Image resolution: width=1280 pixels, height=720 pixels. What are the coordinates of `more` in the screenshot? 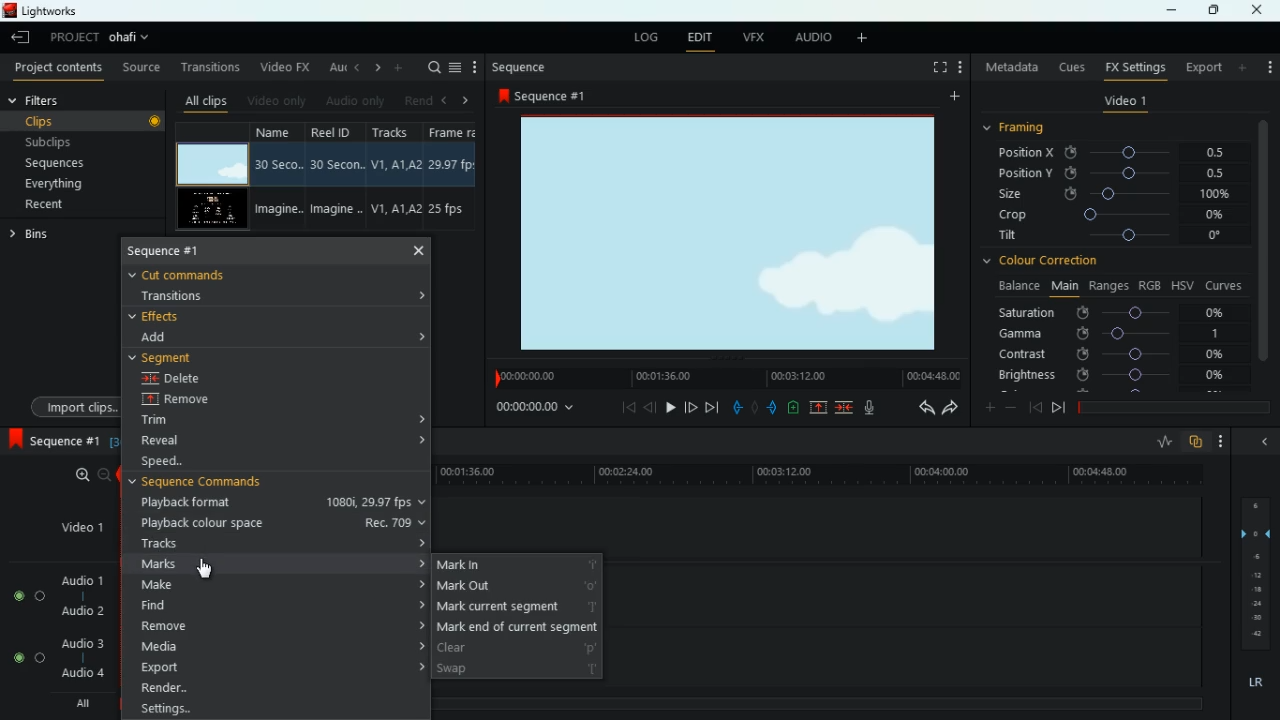 It's located at (477, 66).